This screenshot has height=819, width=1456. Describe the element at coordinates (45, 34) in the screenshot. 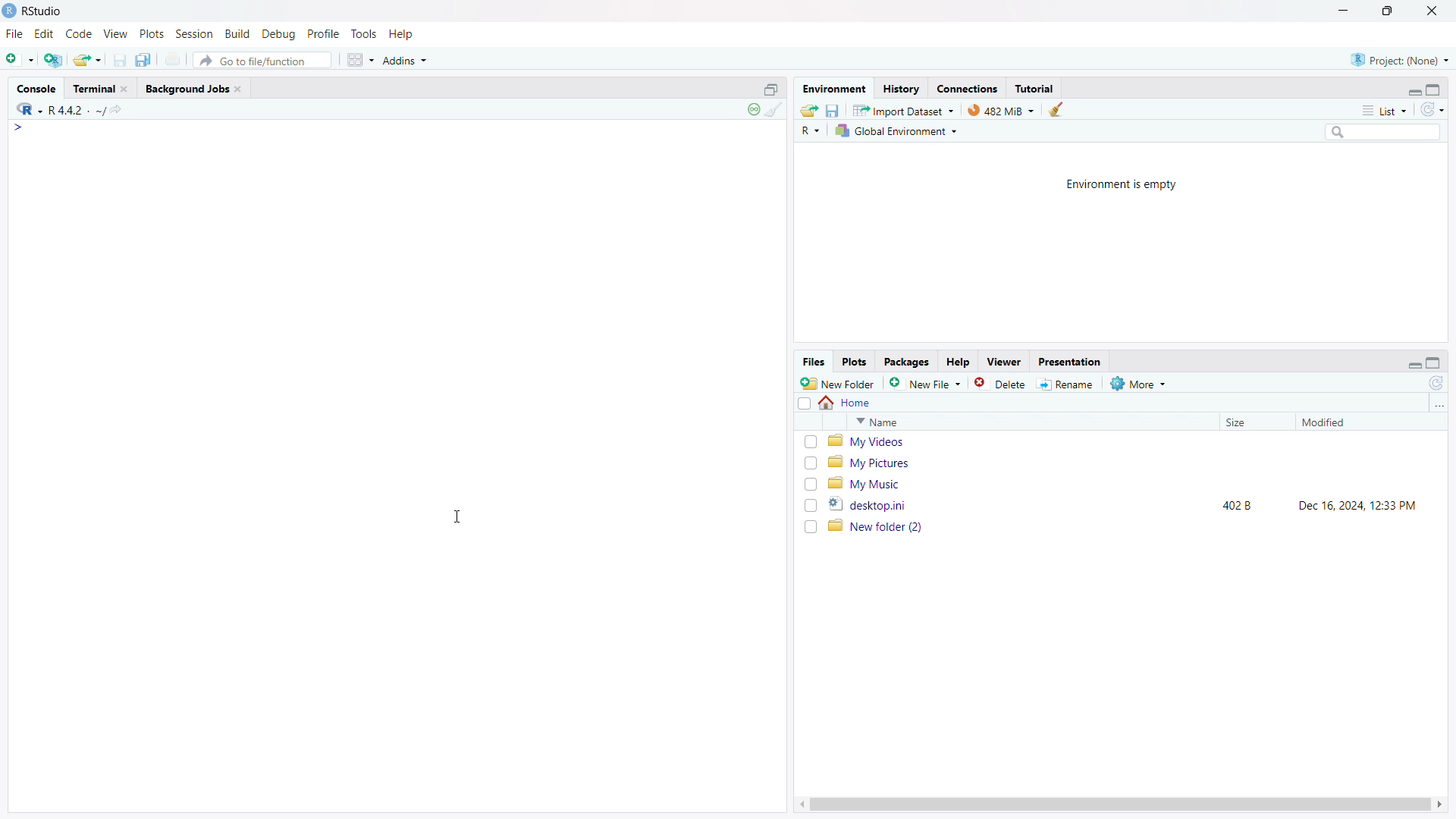

I see `edit` at that location.